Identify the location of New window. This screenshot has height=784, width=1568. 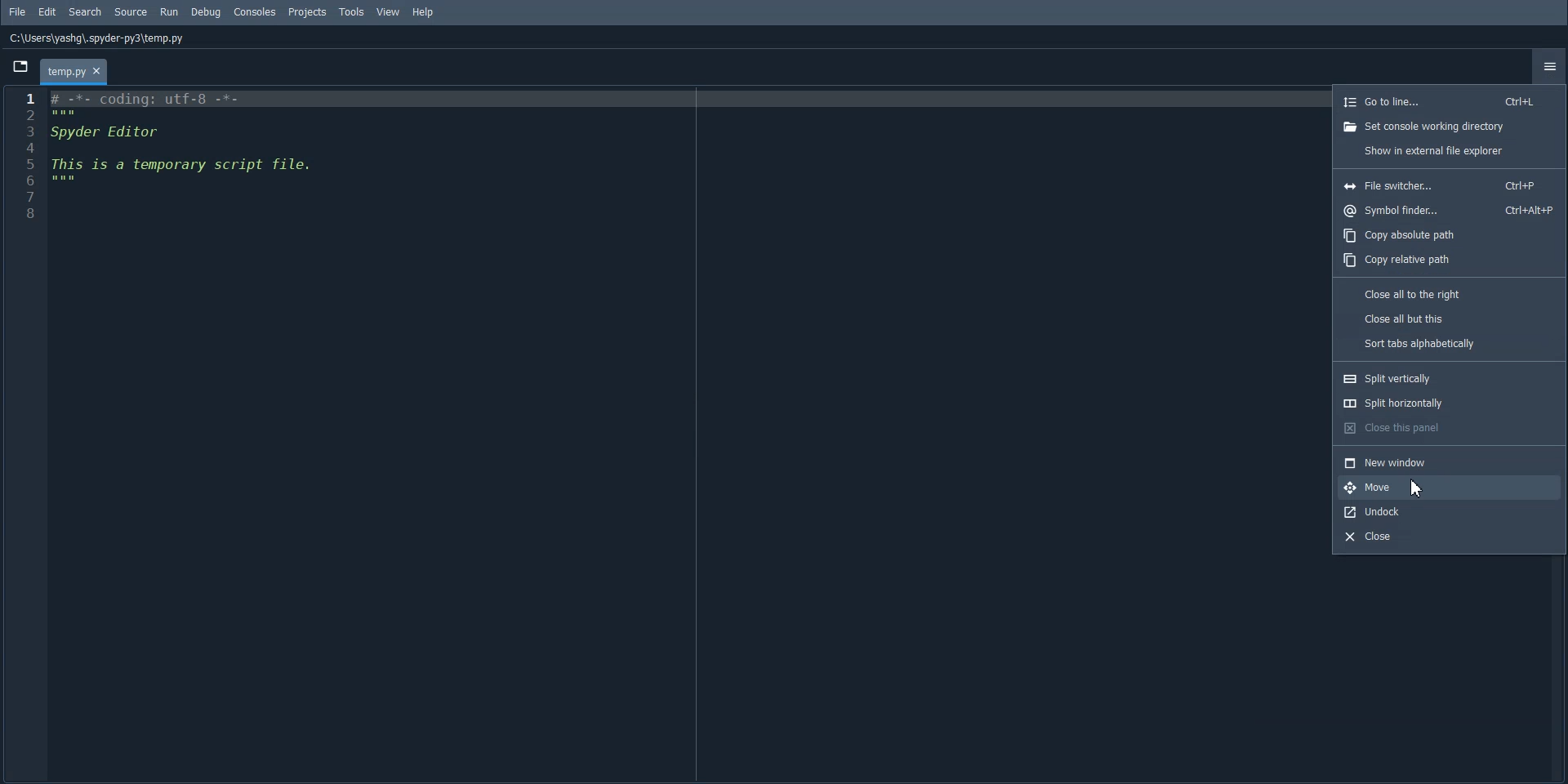
(1447, 461).